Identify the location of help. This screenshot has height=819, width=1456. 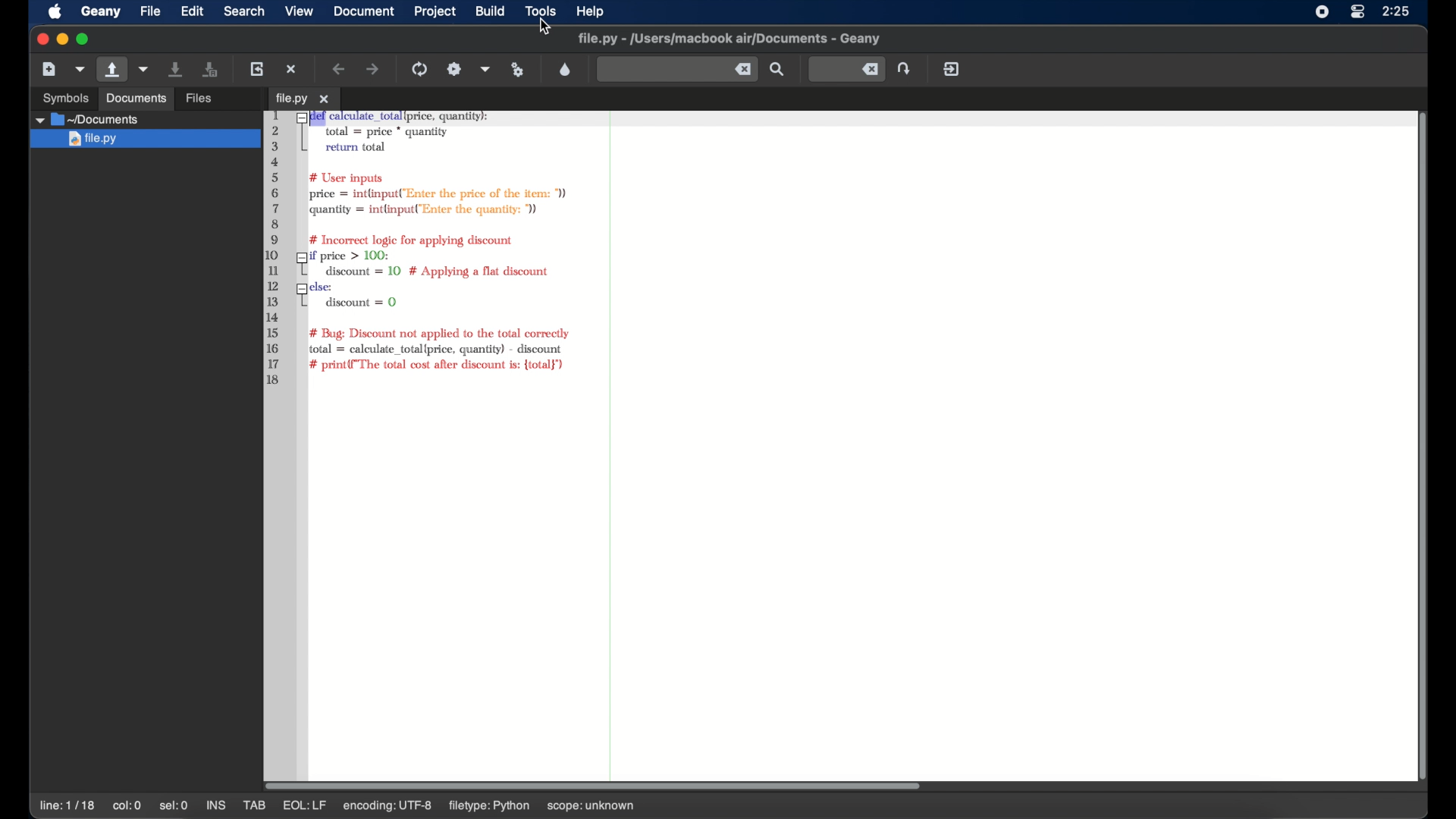
(591, 11).